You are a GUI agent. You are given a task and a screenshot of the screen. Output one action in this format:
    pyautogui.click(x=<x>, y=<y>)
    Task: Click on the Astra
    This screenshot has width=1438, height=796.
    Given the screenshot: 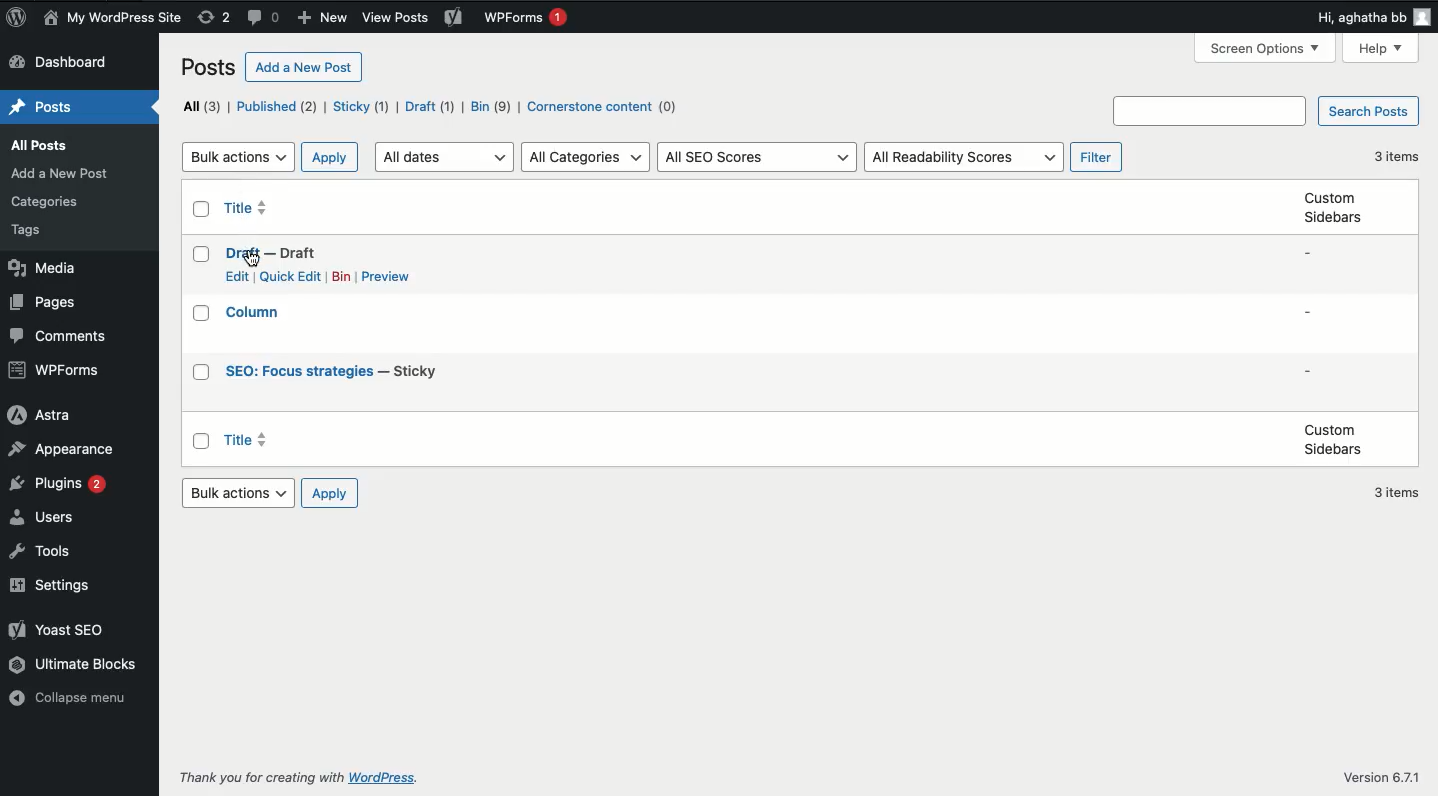 What is the action you would take?
    pyautogui.click(x=39, y=416)
    